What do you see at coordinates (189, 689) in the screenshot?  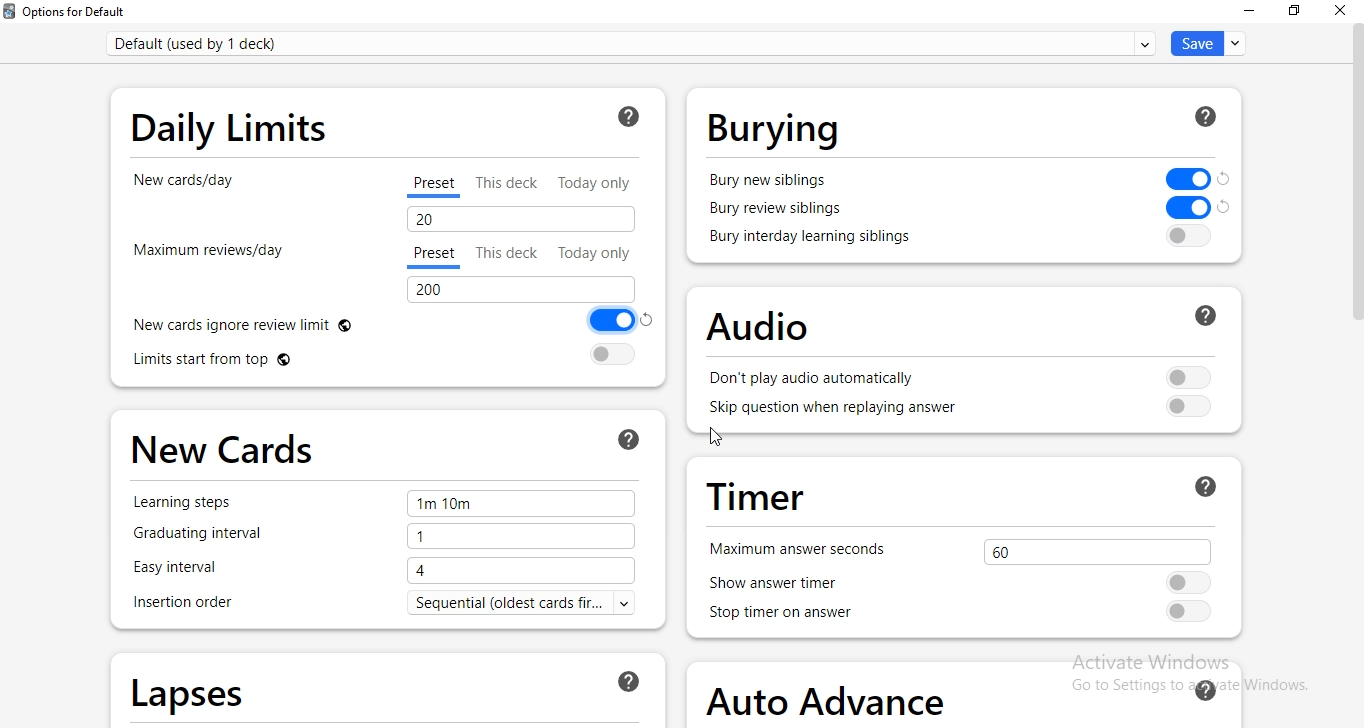 I see `lapses` at bounding box center [189, 689].